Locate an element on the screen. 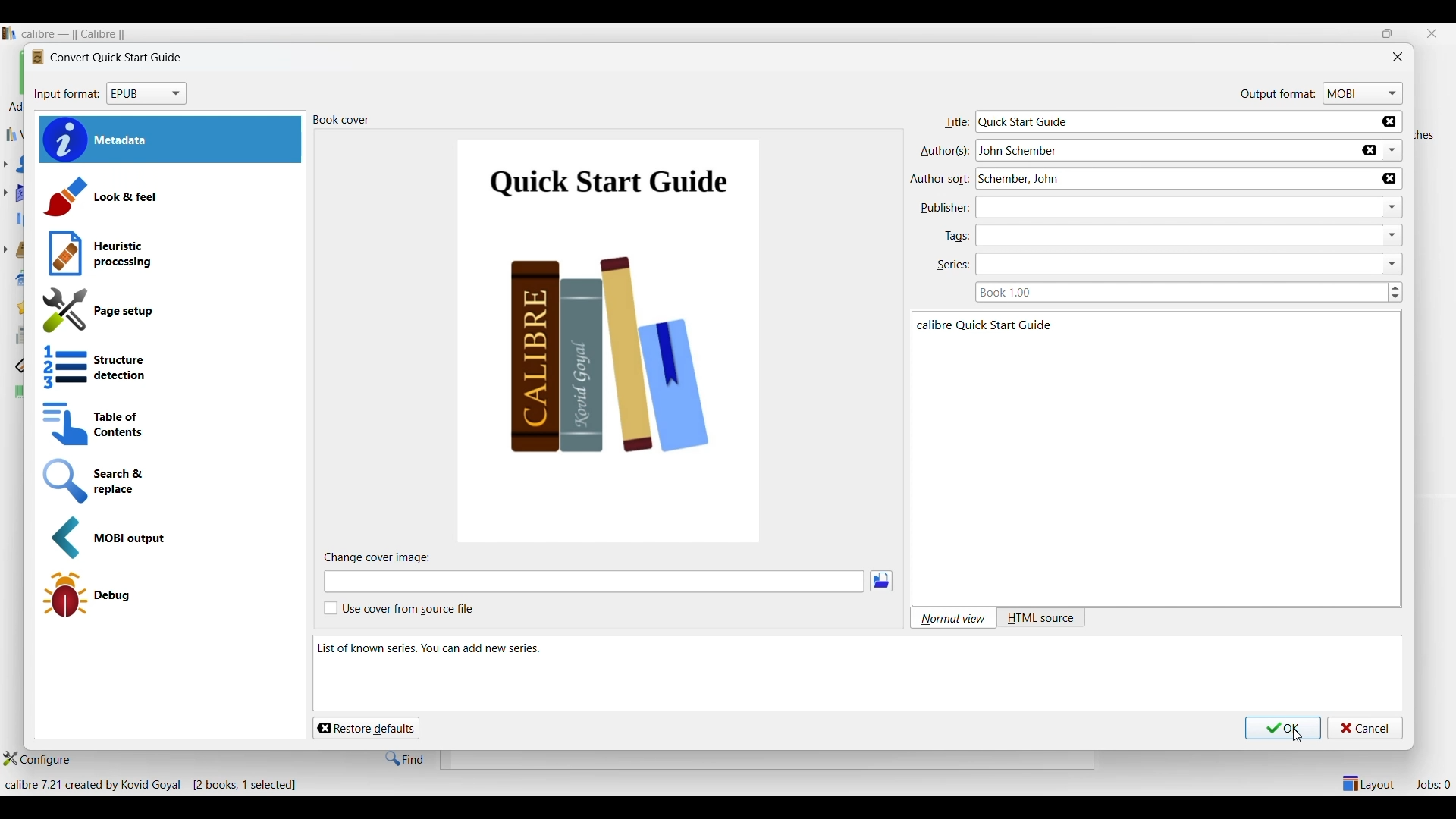  Restore defaults is located at coordinates (366, 728).